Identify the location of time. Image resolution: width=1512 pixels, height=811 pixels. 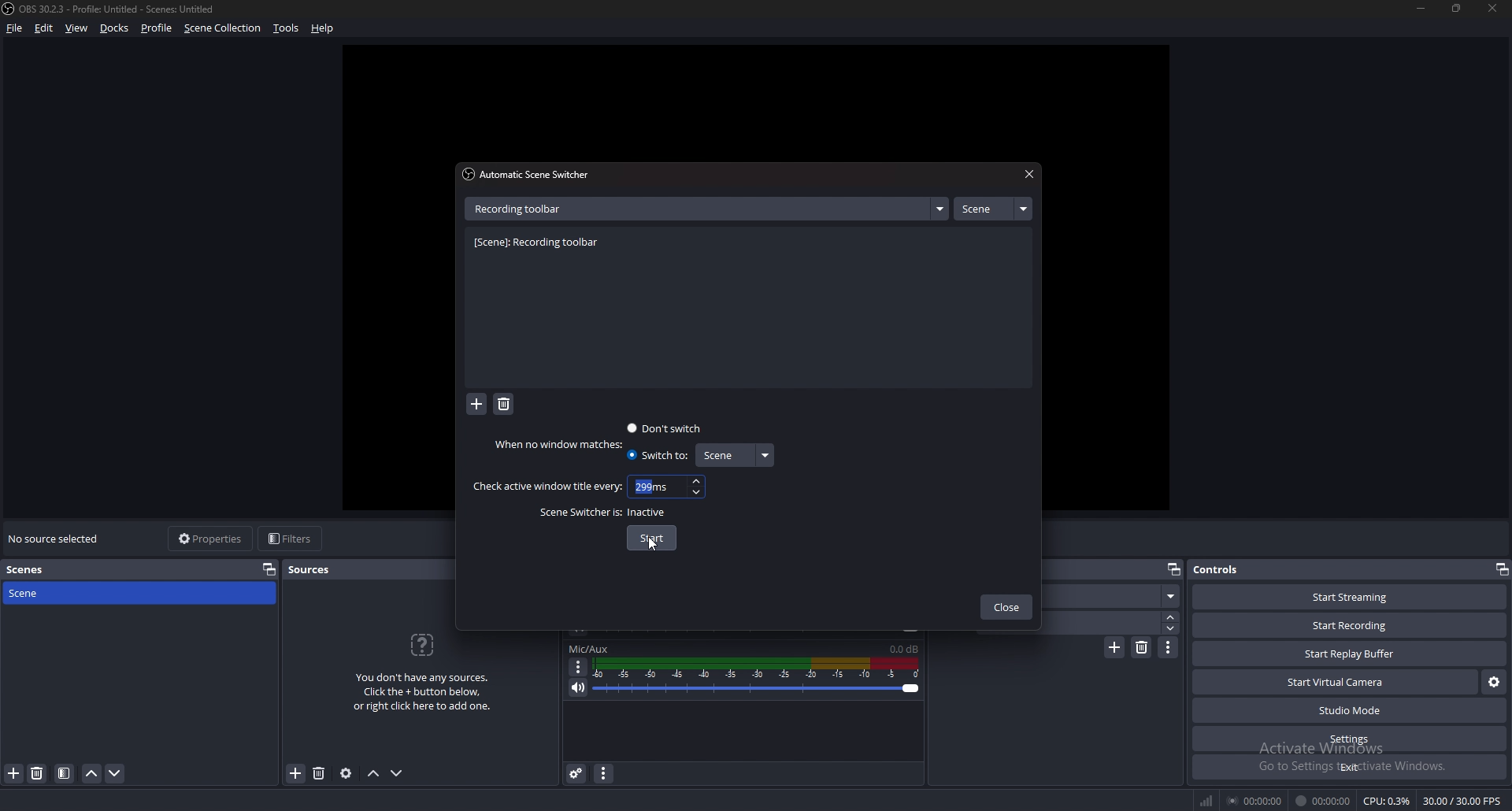
(654, 486).